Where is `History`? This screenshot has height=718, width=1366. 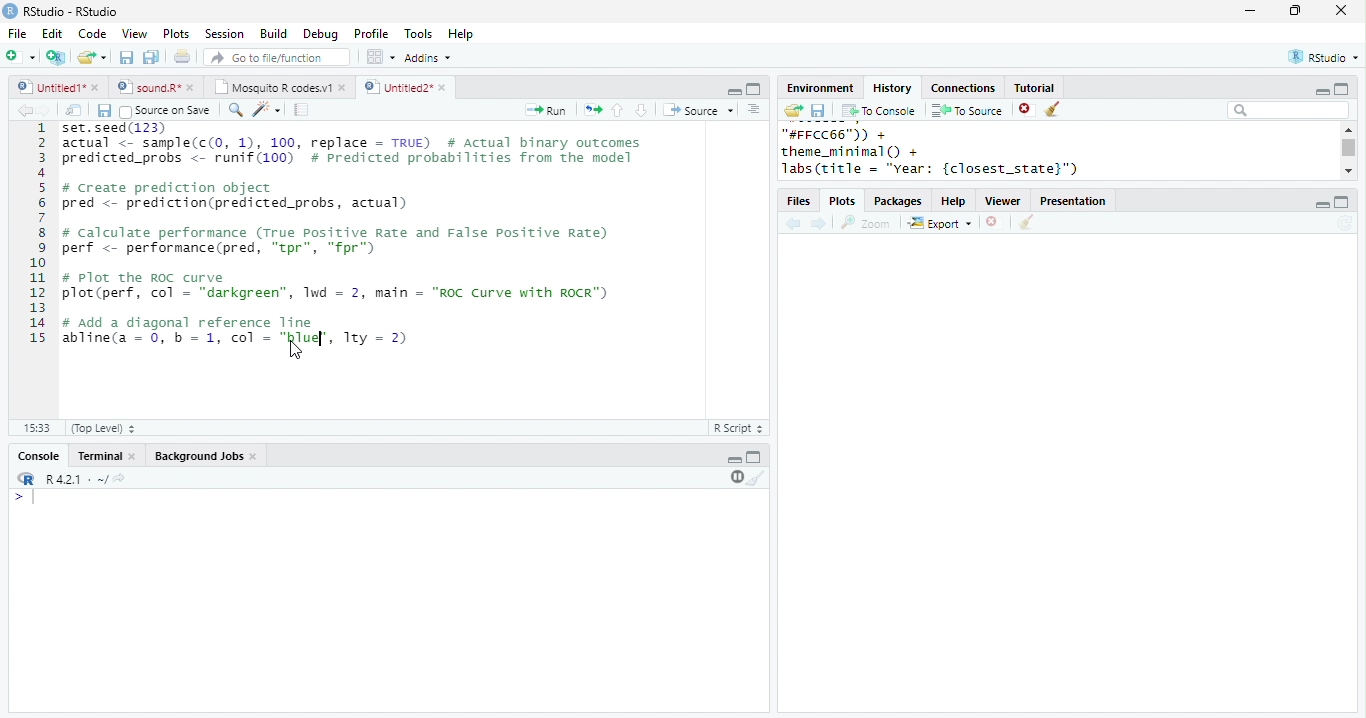 History is located at coordinates (892, 88).